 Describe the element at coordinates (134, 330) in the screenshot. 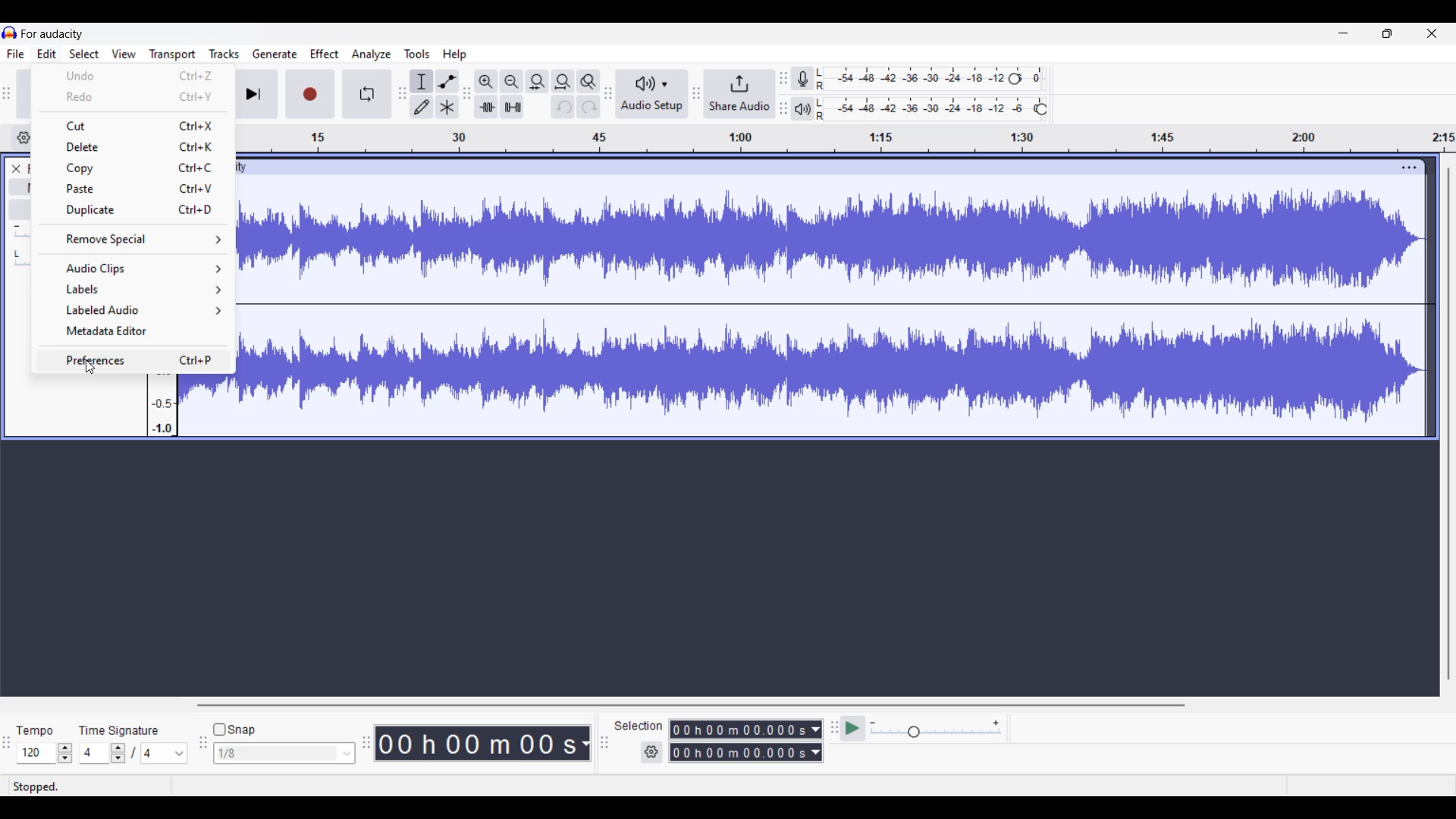

I see `Metadata editor` at that location.